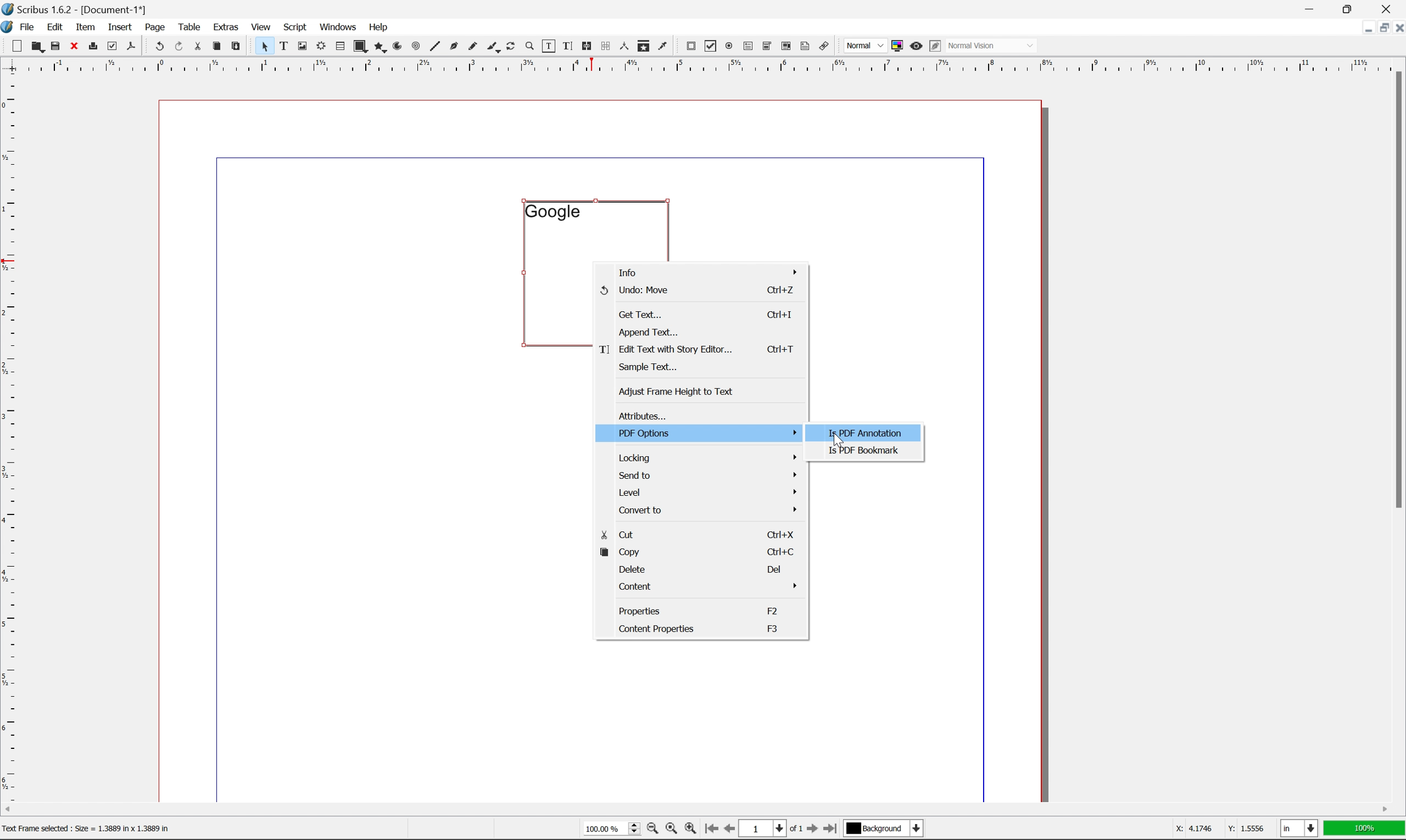 The height and width of the screenshot is (840, 1406). I want to click on ctrl+x, so click(780, 533).